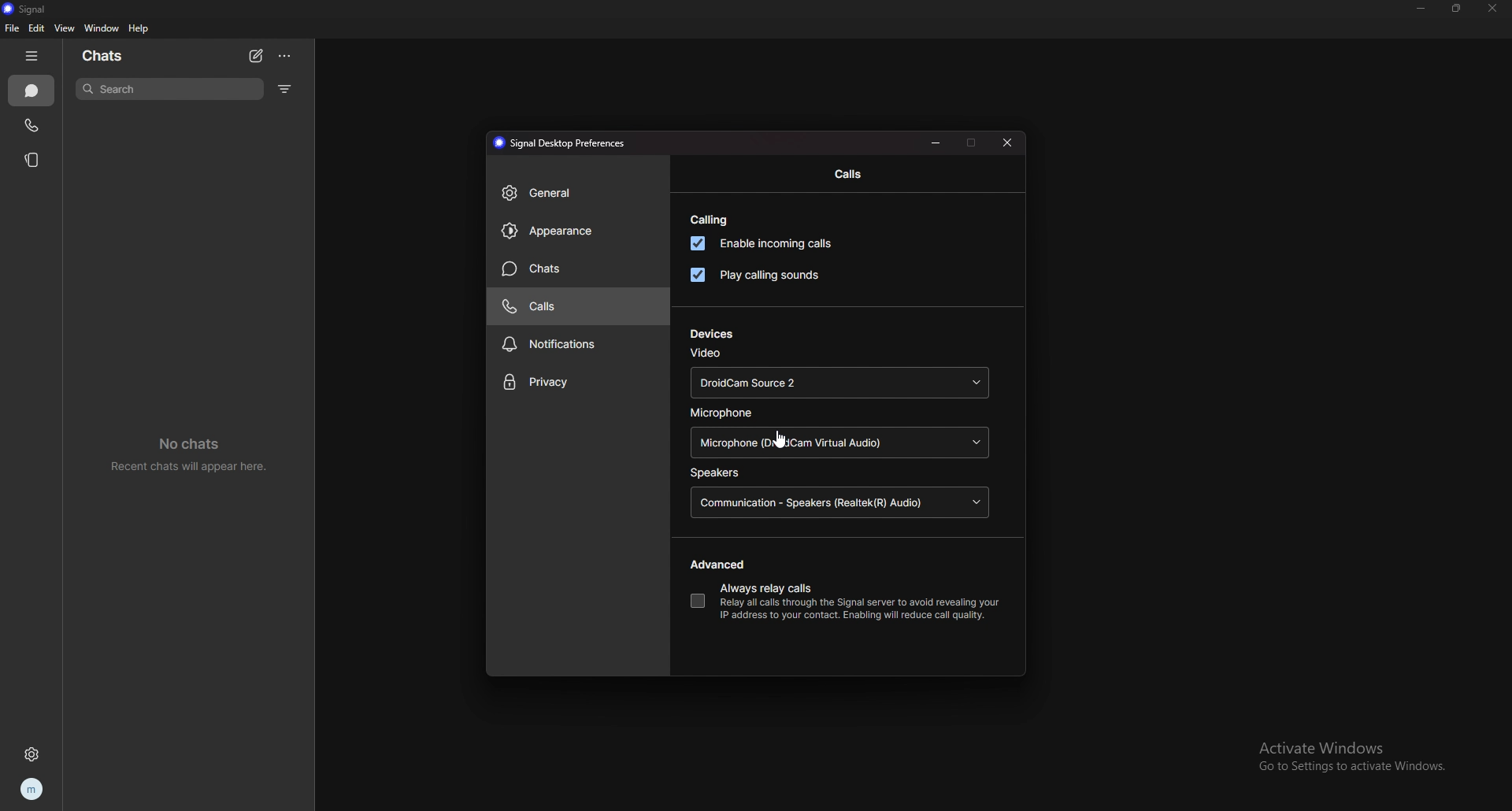 The image size is (1512, 811). I want to click on notifications, so click(580, 343).